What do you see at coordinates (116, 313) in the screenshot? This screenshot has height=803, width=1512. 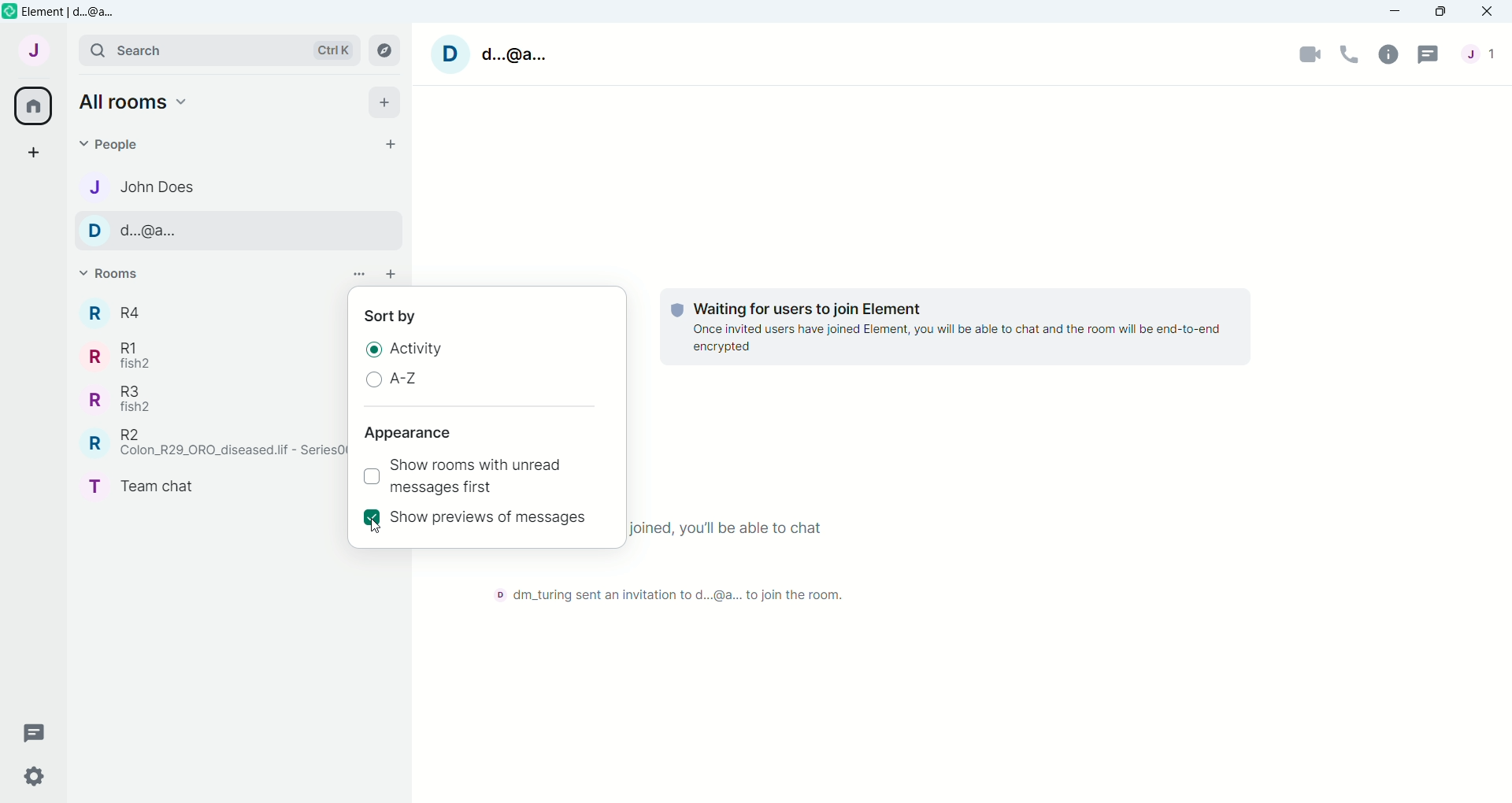 I see `Room R4` at bounding box center [116, 313].